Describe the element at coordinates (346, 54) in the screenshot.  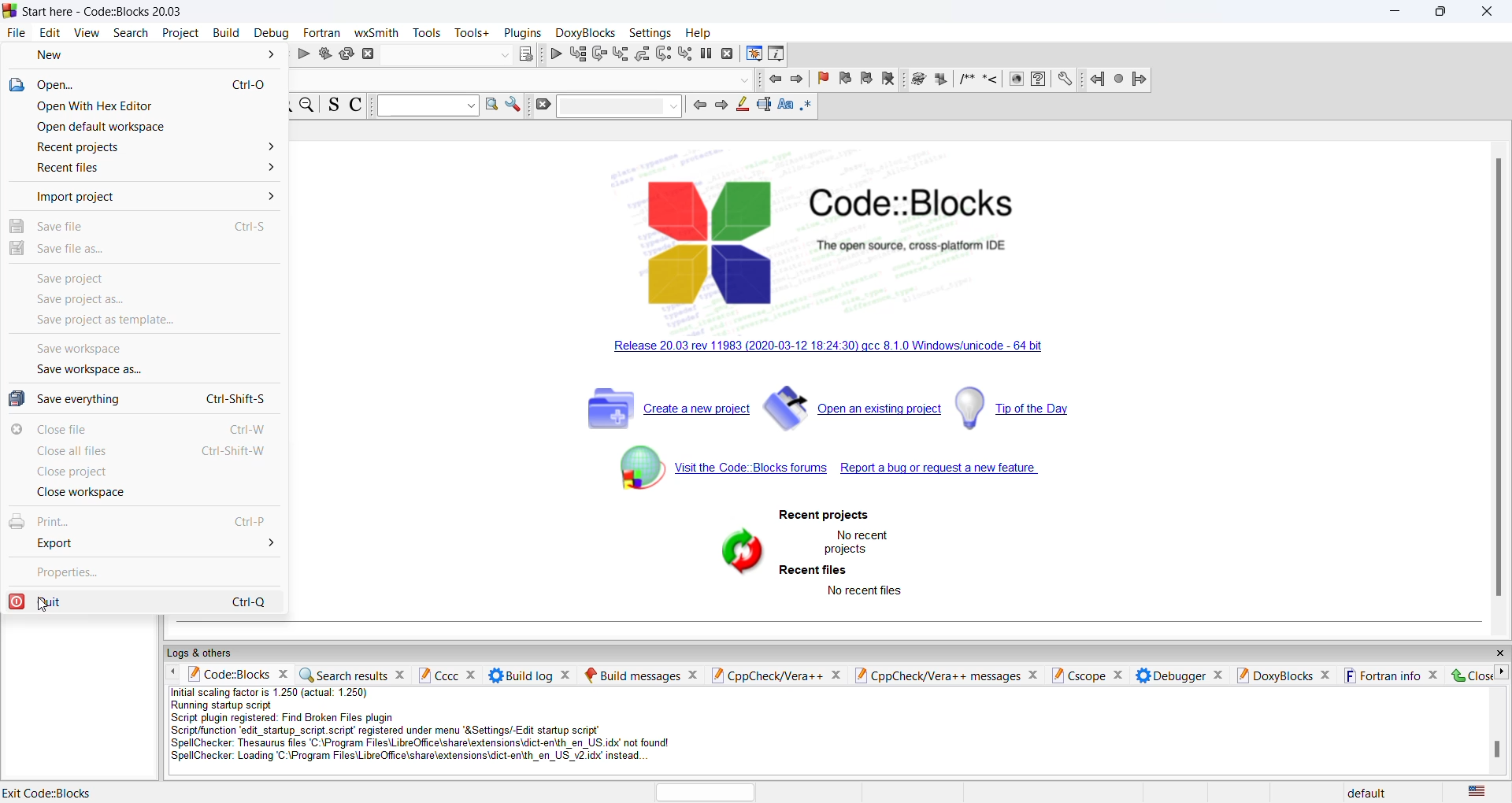
I see `rebuild` at that location.